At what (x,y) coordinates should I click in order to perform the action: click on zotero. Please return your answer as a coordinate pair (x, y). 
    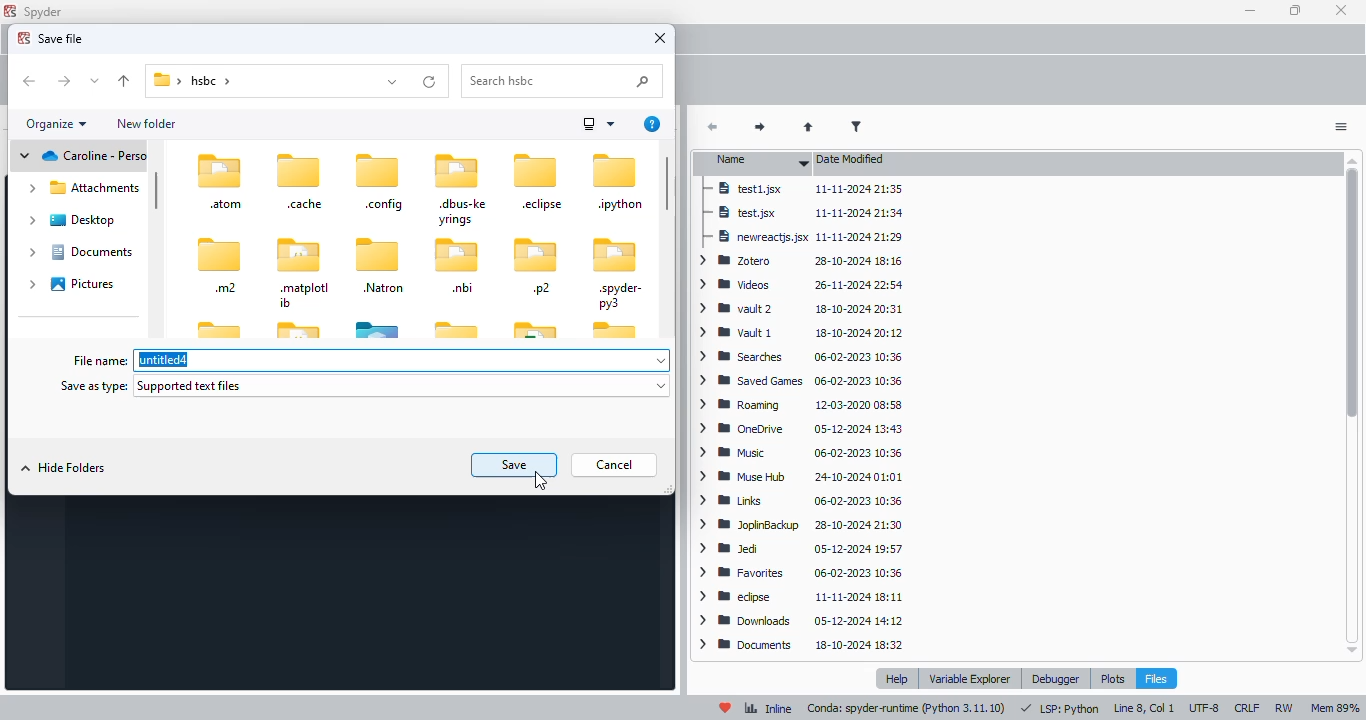
    Looking at the image, I should click on (738, 259).